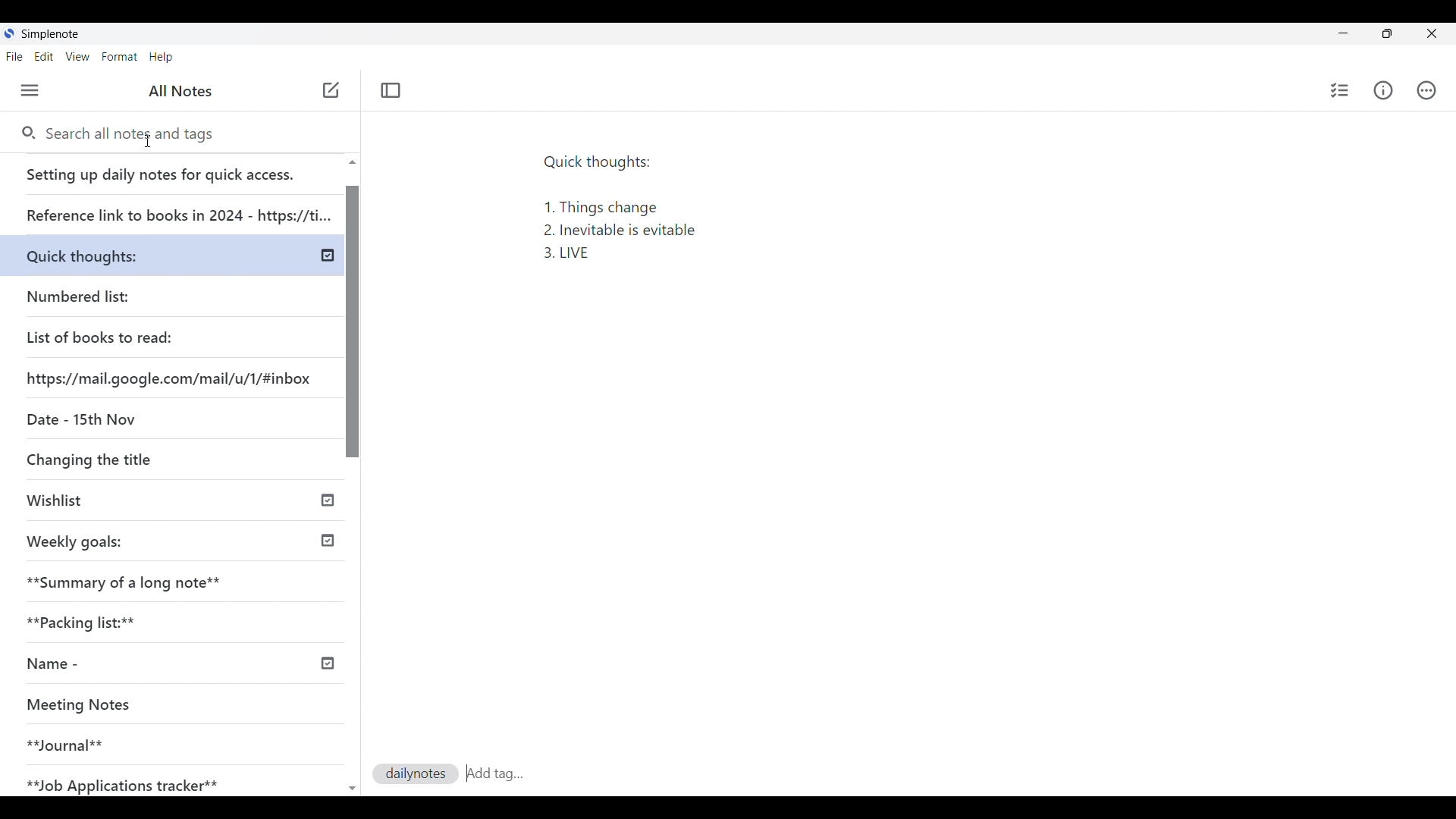  I want to click on Date, so click(78, 418).